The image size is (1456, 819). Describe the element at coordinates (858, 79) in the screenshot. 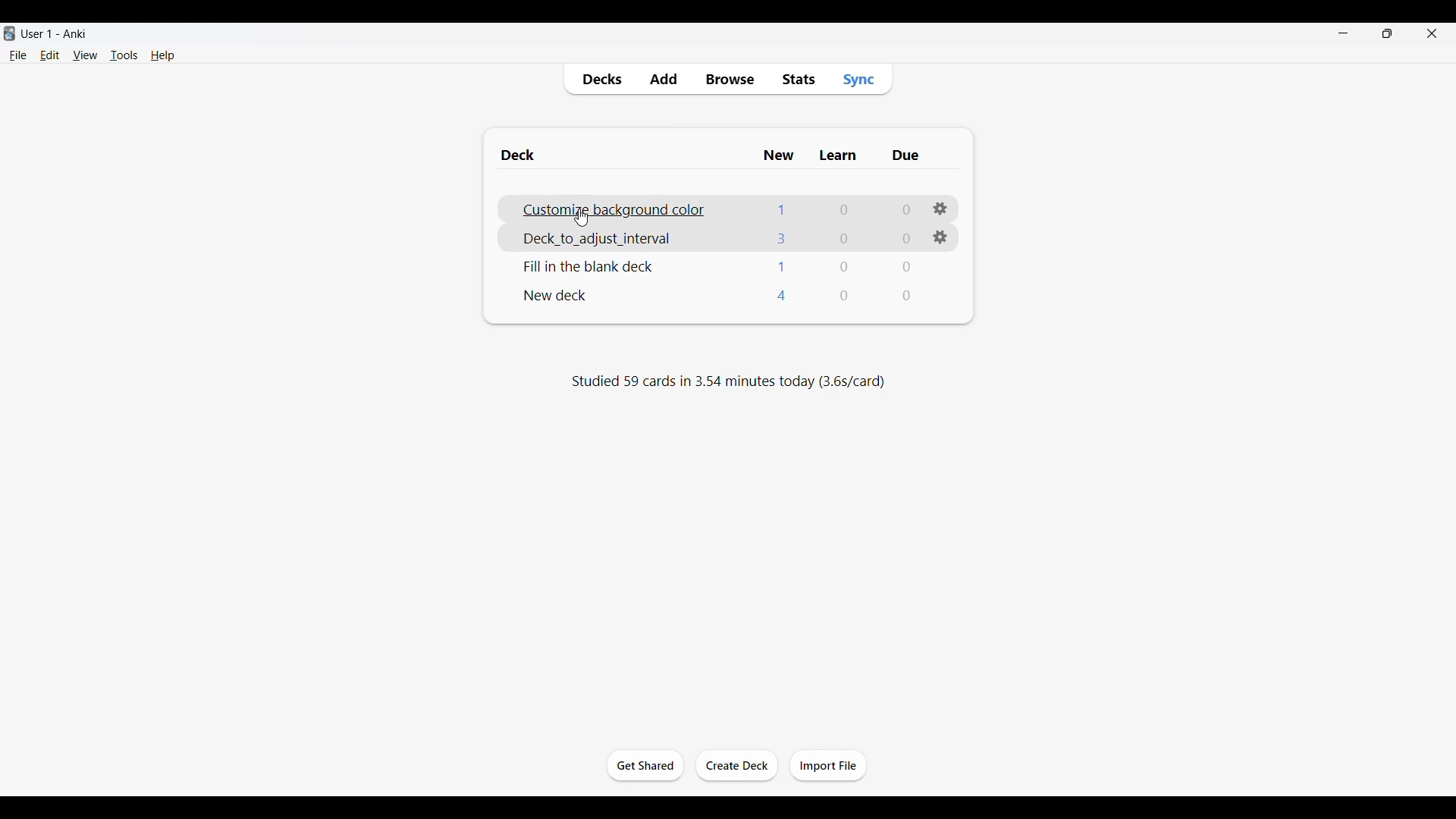

I see `Sync` at that location.